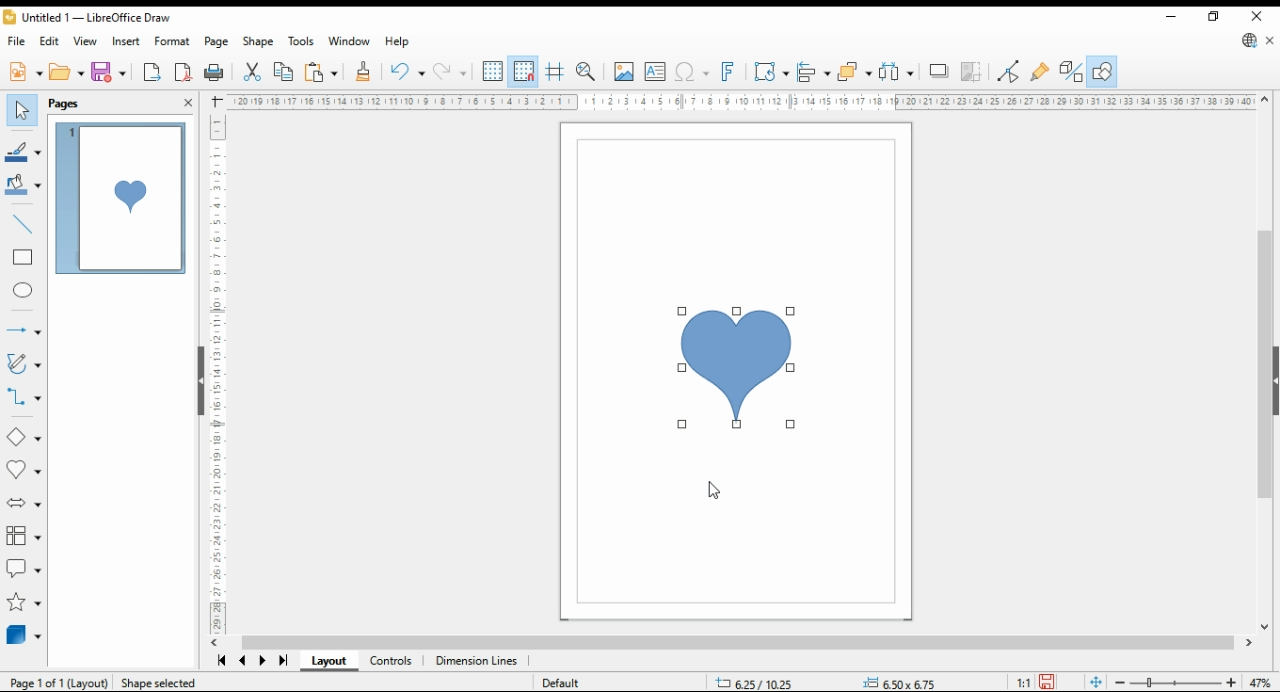 This screenshot has height=692, width=1280. I want to click on select at least three items to distribute, so click(897, 72).